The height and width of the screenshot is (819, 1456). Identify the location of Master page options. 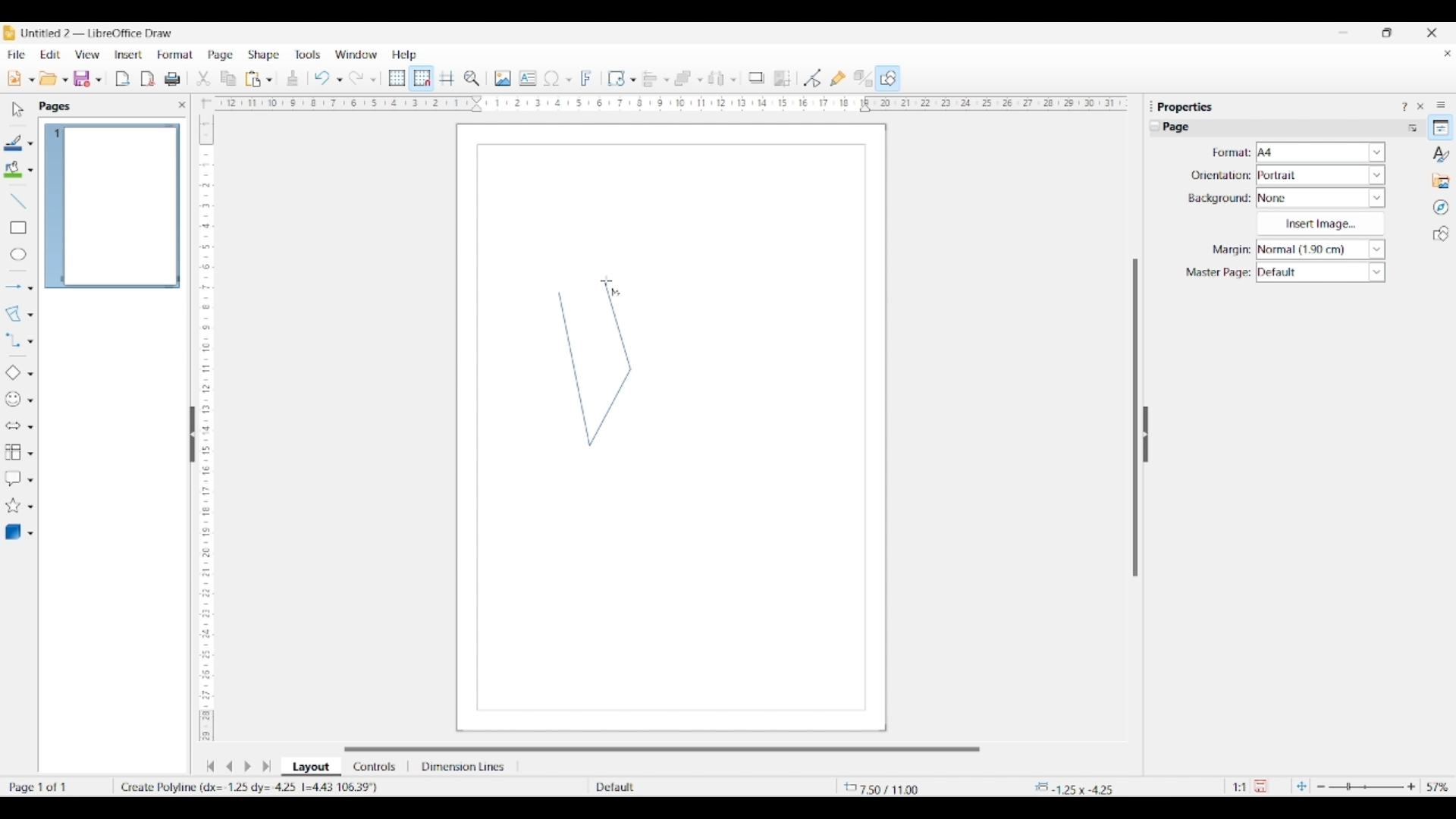
(1320, 272).